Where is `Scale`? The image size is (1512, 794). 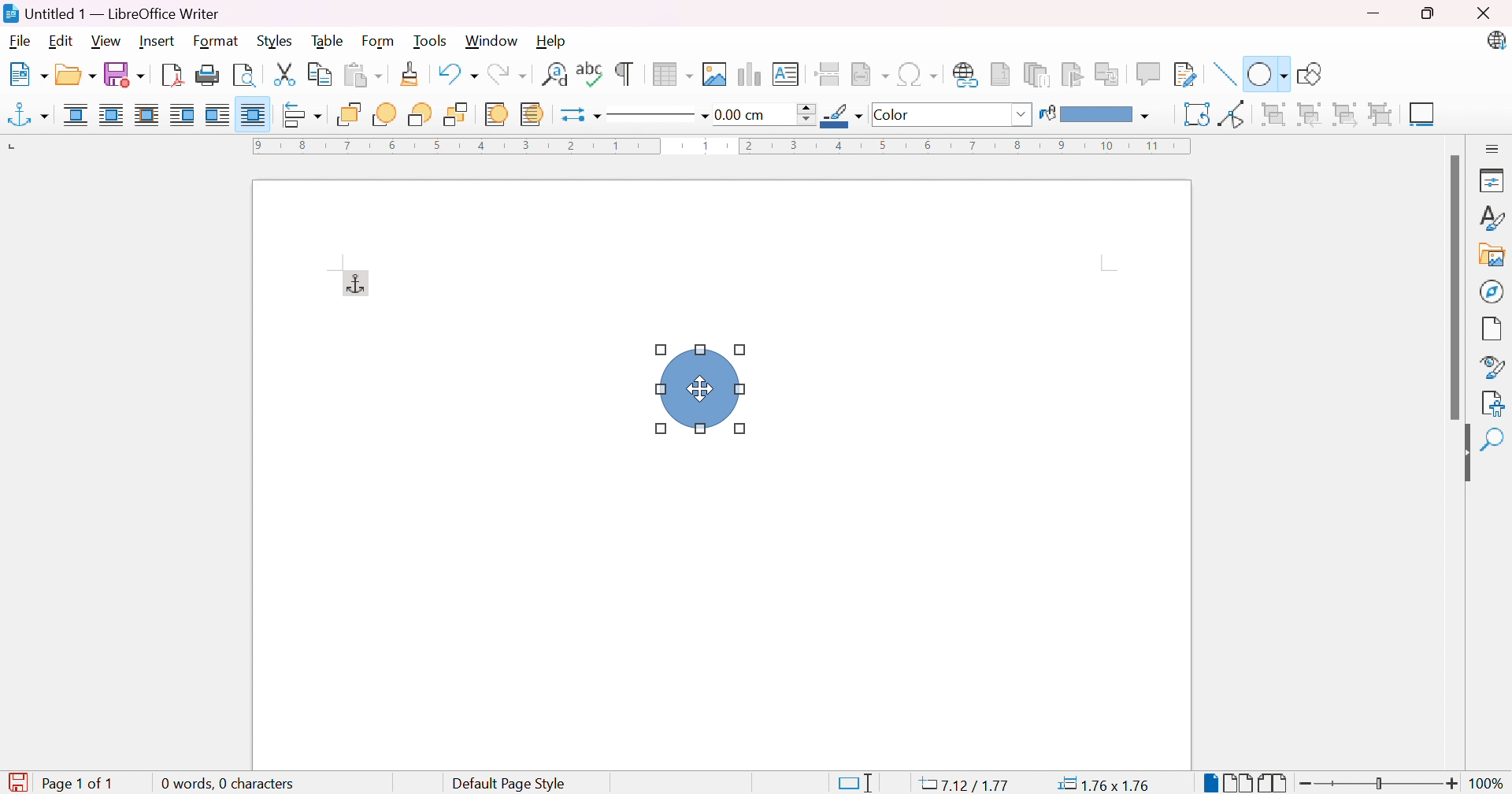
Scale is located at coordinates (721, 146).